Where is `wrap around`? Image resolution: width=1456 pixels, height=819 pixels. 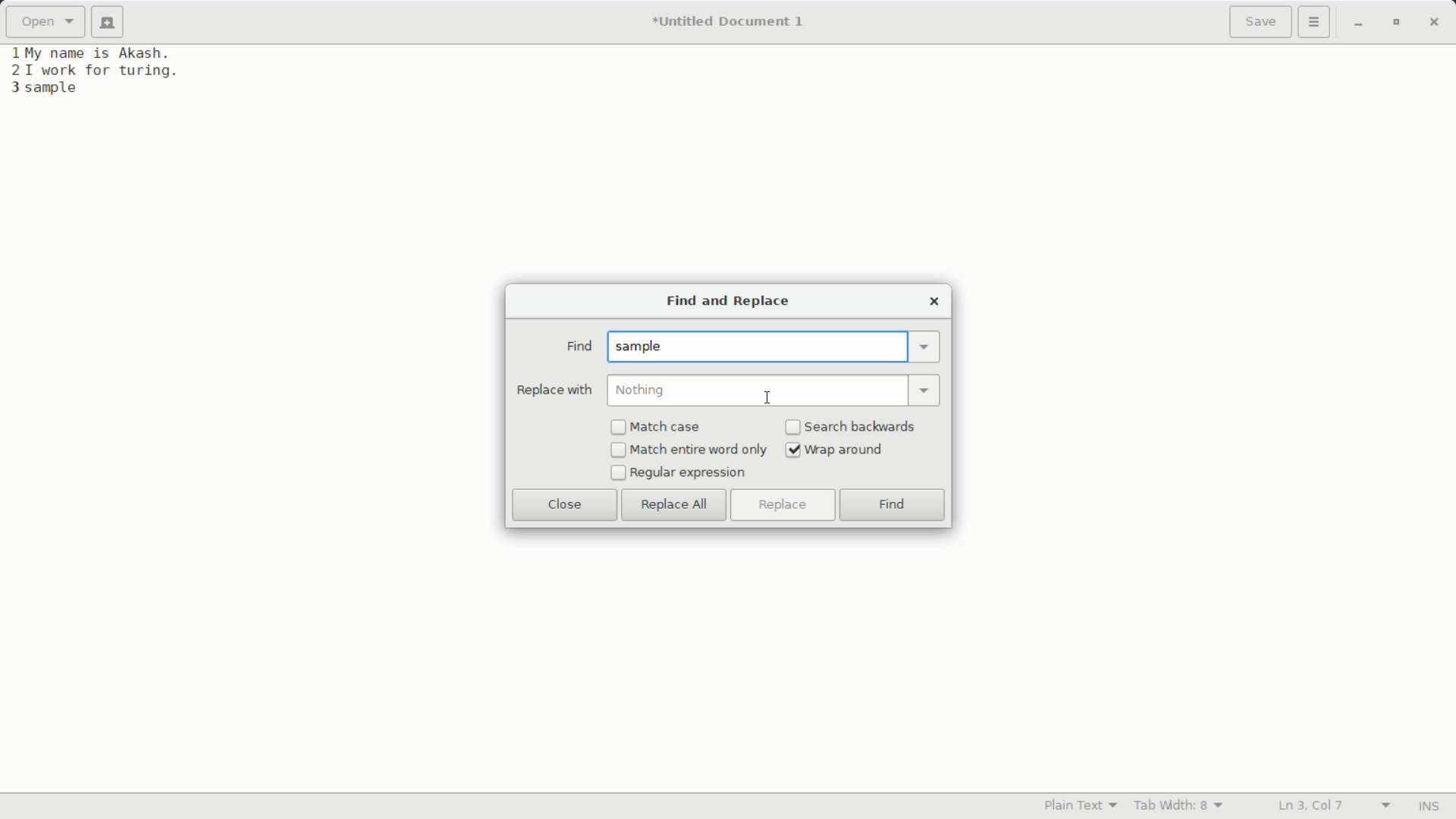
wrap around is located at coordinates (847, 450).